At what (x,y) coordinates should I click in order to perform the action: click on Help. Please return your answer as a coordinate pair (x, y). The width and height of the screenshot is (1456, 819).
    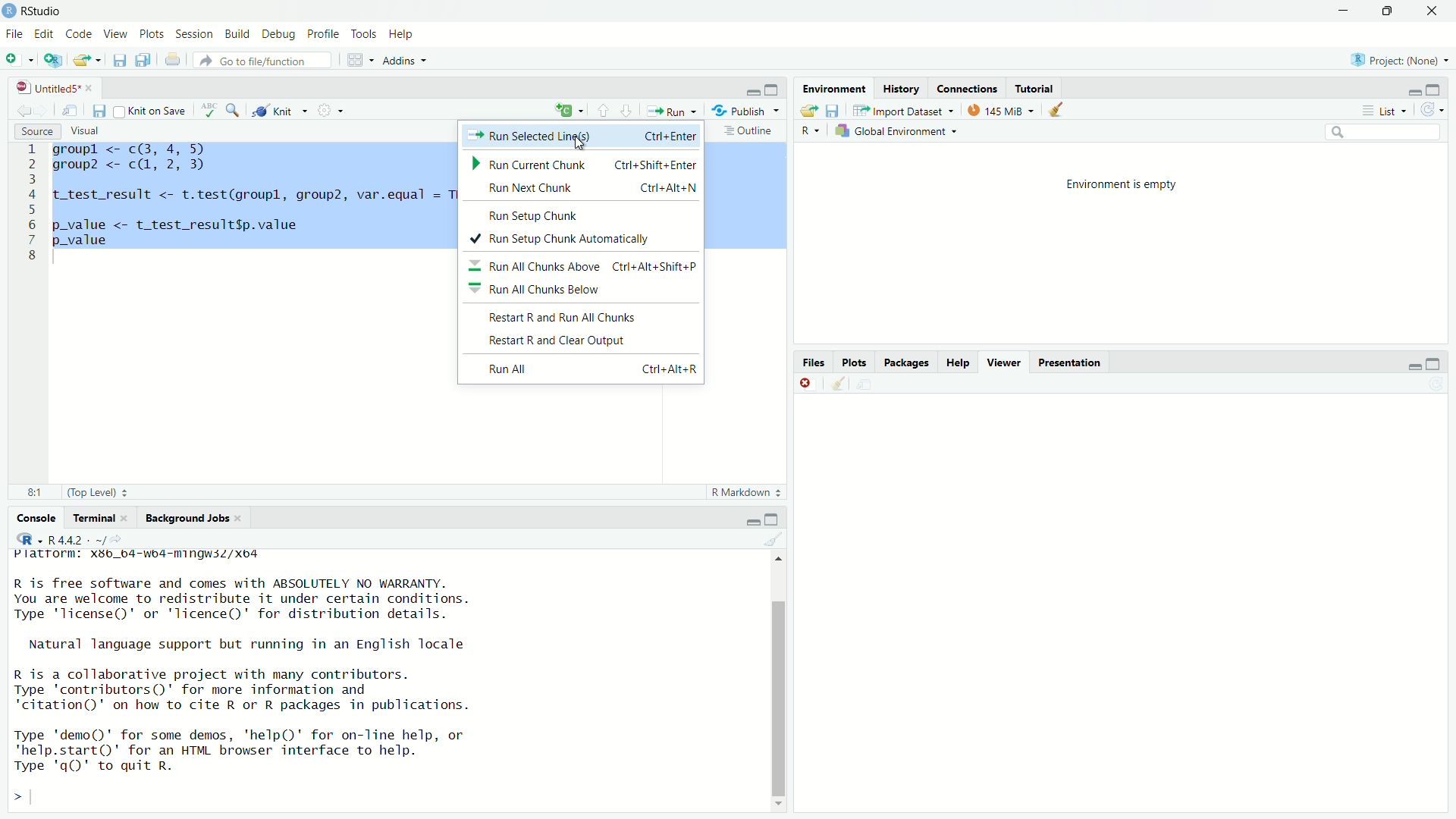
    Looking at the image, I should click on (958, 362).